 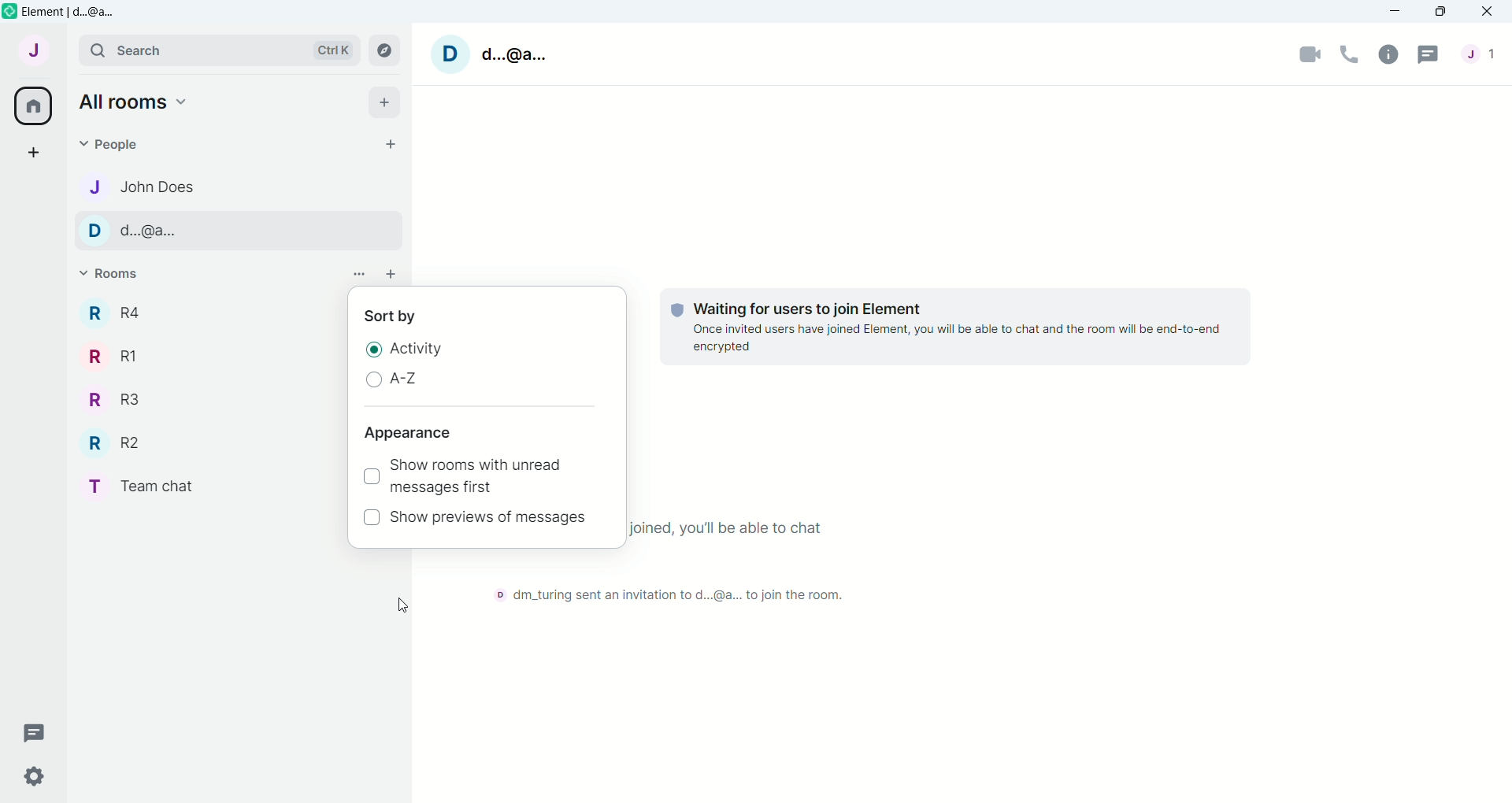 What do you see at coordinates (117, 443) in the screenshot?
I see `Room R2` at bounding box center [117, 443].